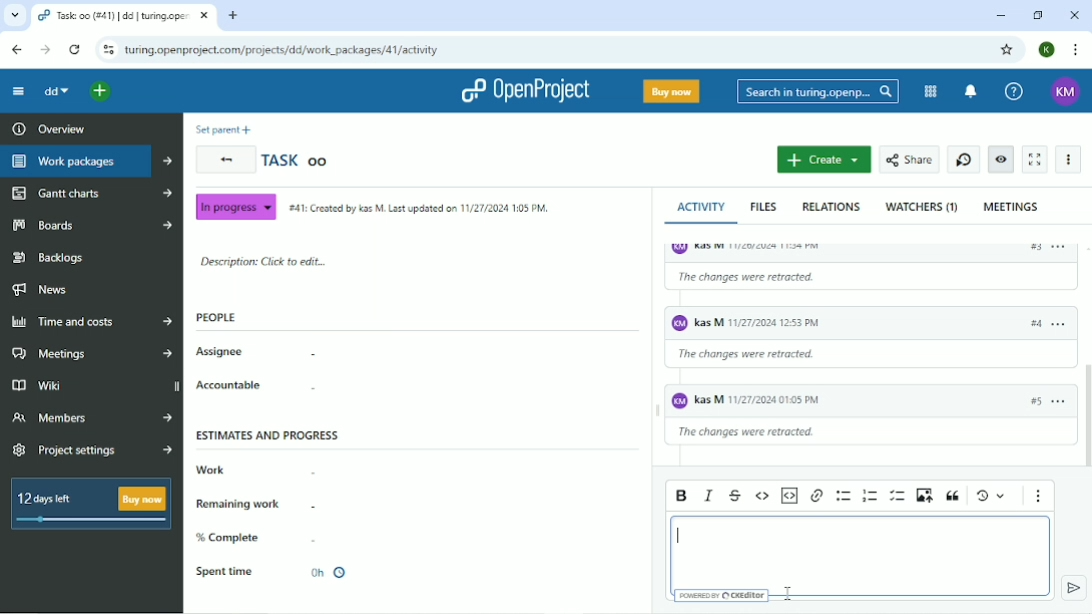  I want to click on Close, so click(1074, 15).